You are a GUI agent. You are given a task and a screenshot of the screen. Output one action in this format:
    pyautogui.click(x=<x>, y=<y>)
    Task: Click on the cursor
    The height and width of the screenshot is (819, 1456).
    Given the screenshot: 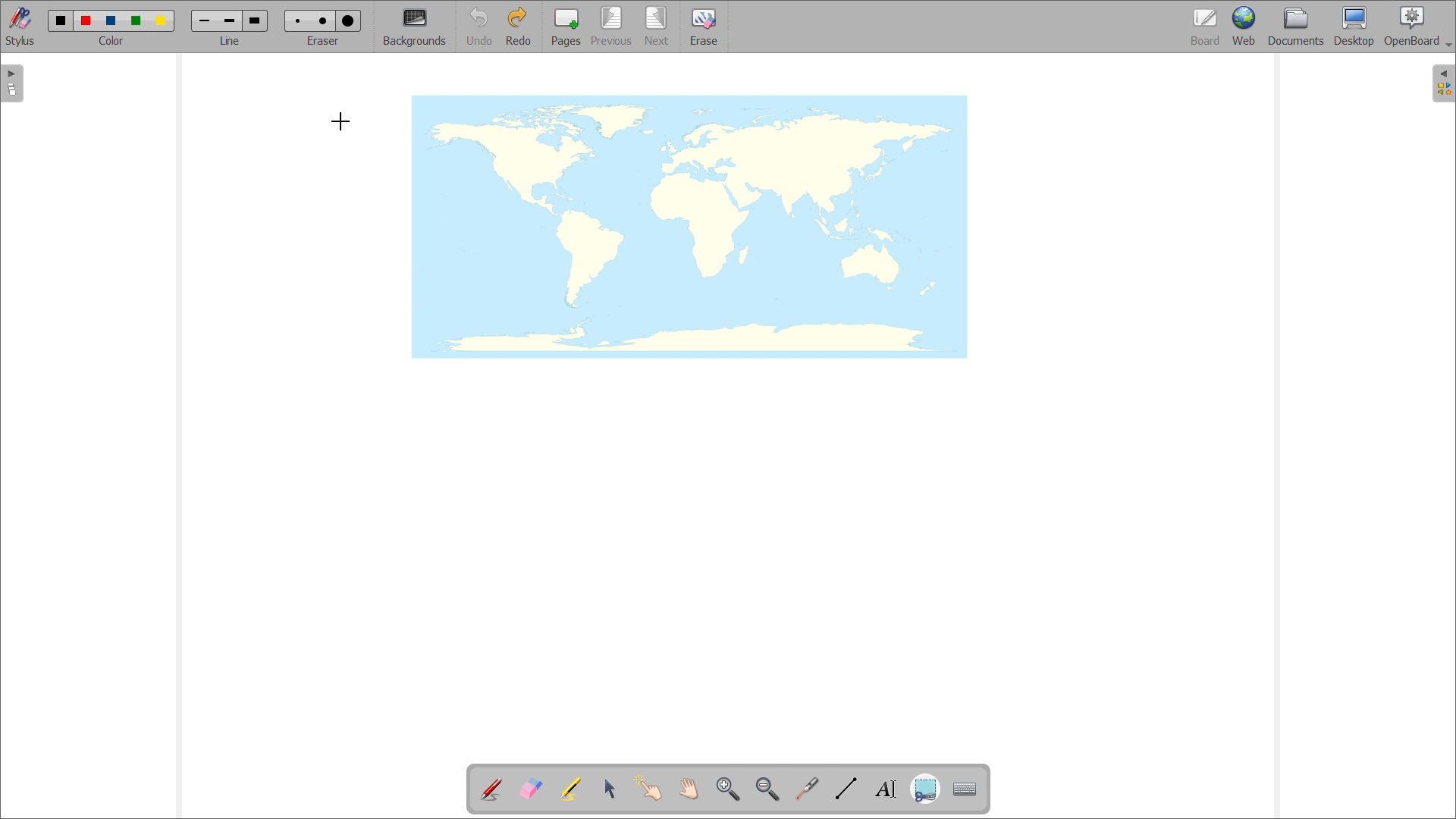 What is the action you would take?
    pyautogui.click(x=340, y=121)
    